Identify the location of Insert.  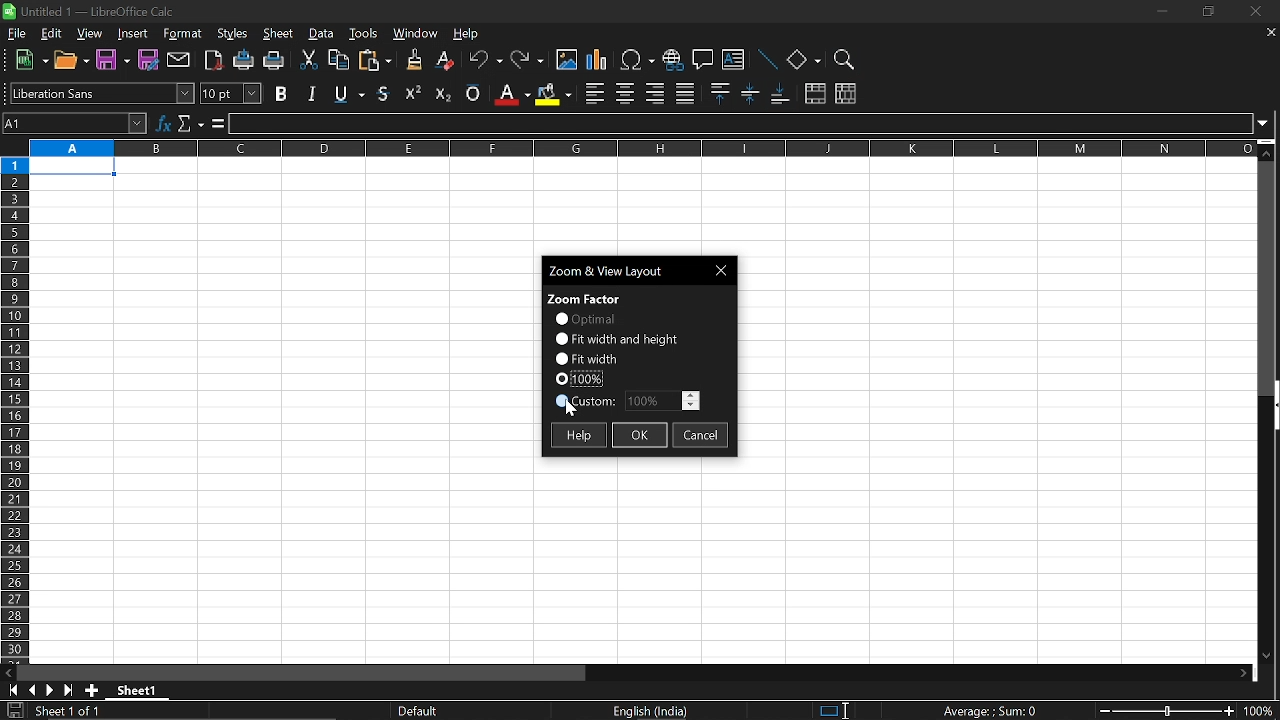
(133, 35).